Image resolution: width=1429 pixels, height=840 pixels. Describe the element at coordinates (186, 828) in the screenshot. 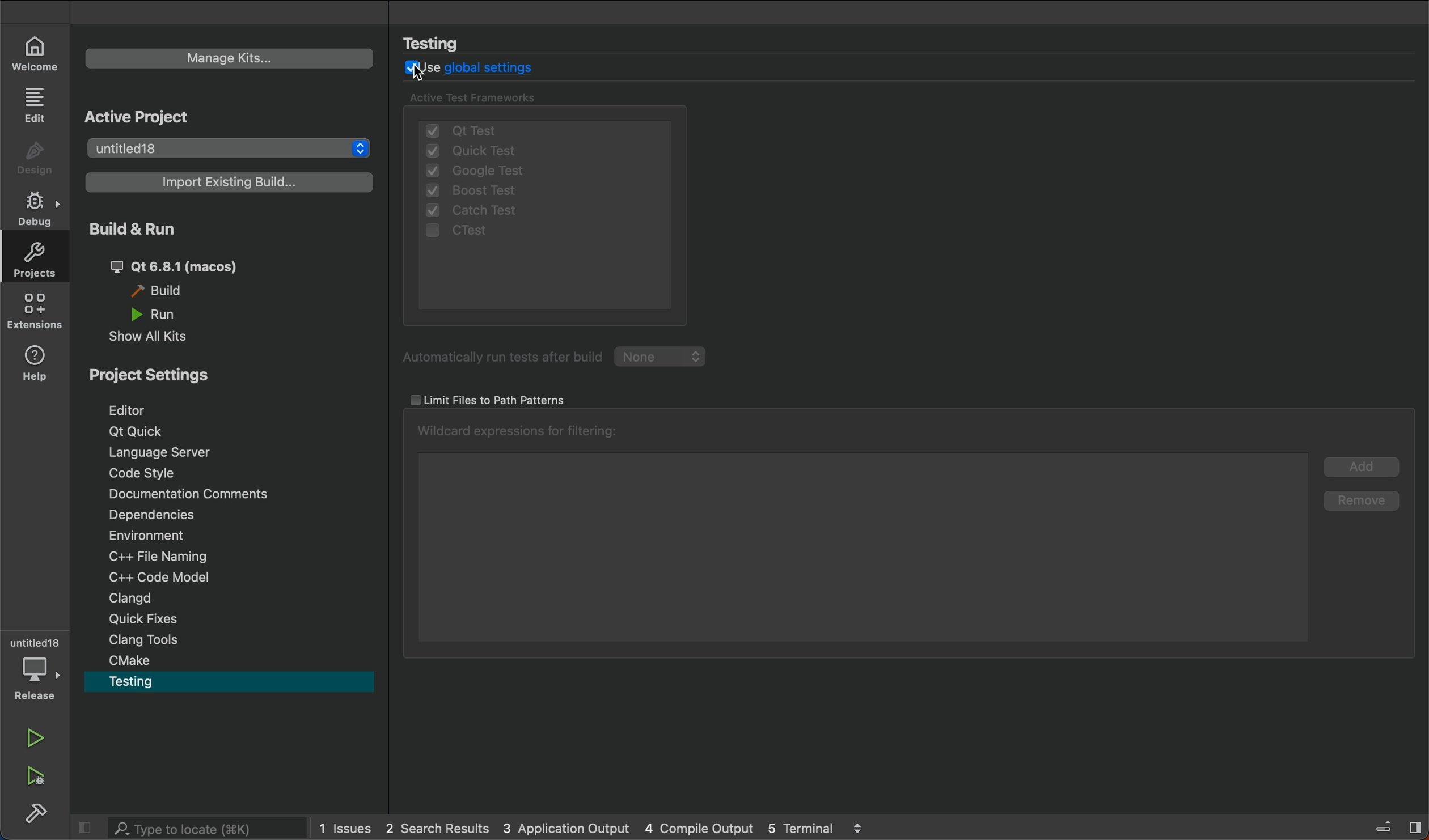

I see `search` at that location.